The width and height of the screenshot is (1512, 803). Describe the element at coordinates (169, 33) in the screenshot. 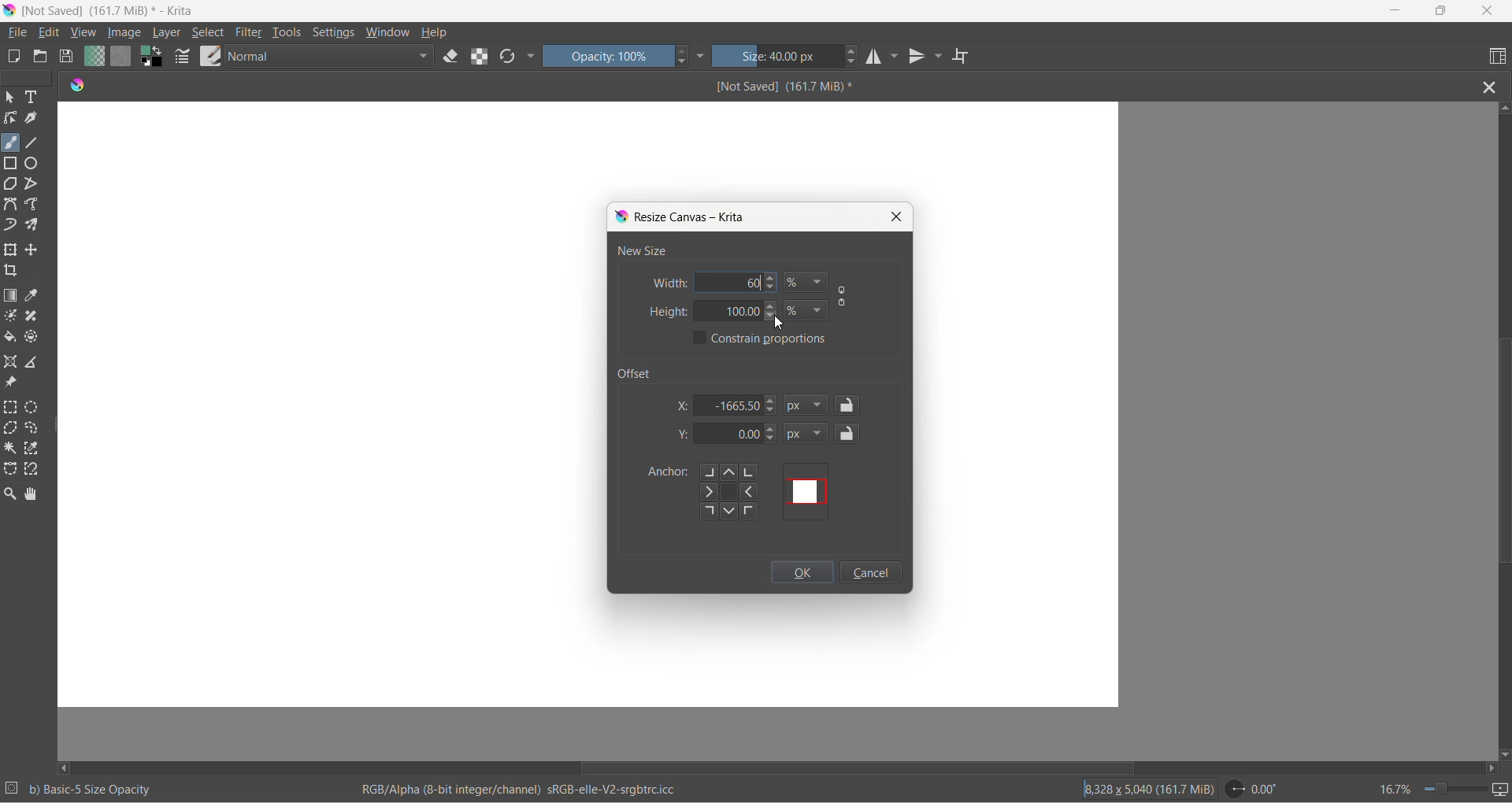

I see `layer` at that location.